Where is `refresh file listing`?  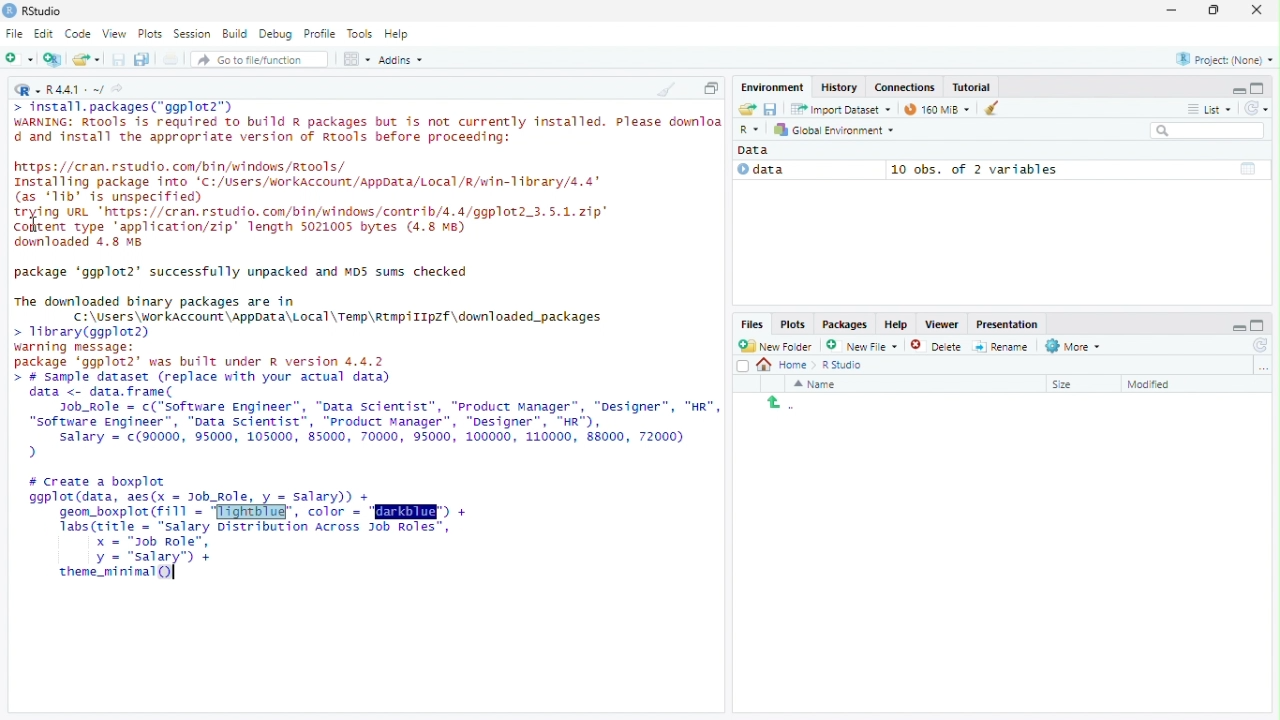 refresh file listing is located at coordinates (1261, 346).